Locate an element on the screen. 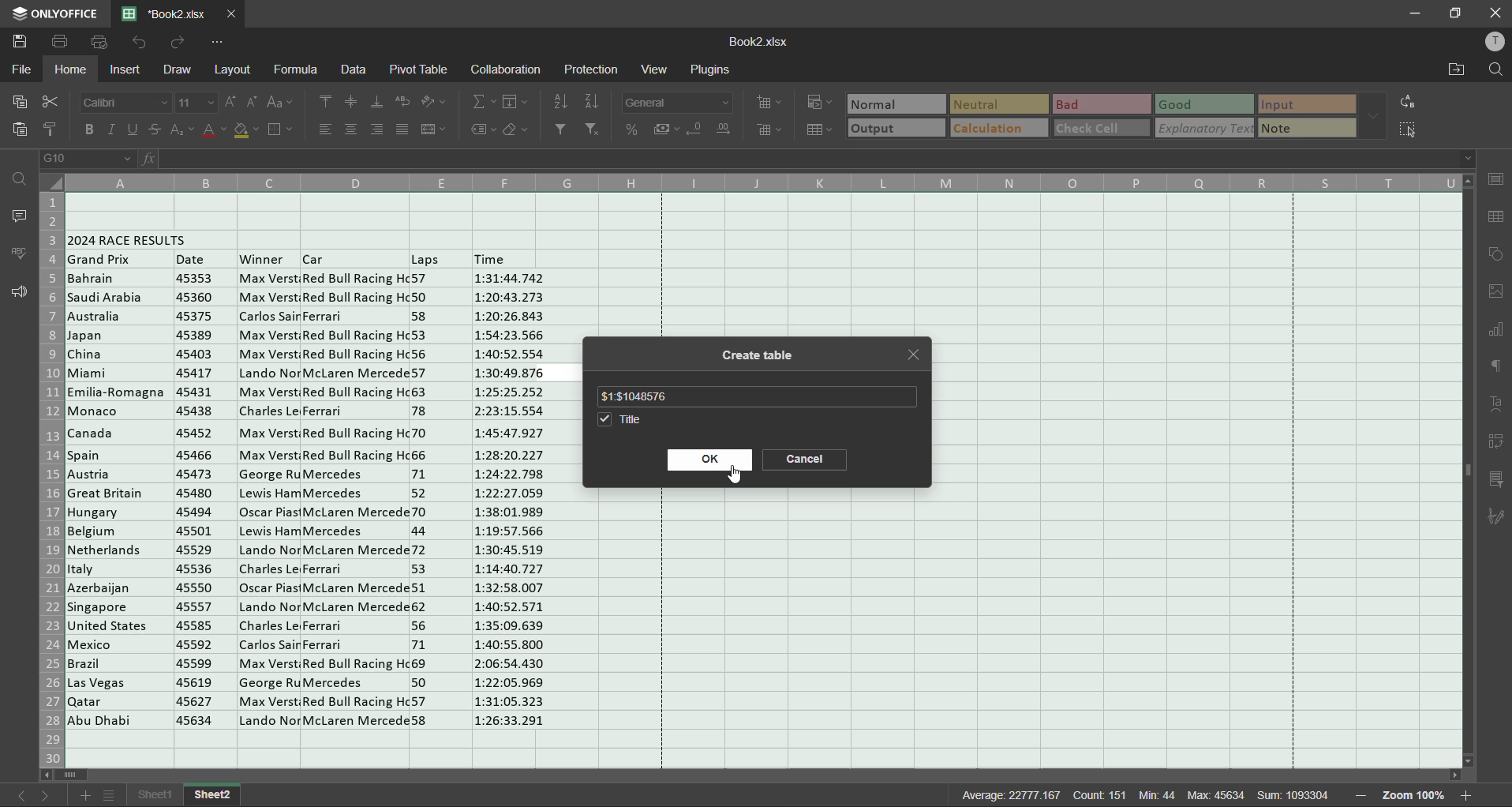 The width and height of the screenshot is (1512, 807). find is located at coordinates (1491, 69).